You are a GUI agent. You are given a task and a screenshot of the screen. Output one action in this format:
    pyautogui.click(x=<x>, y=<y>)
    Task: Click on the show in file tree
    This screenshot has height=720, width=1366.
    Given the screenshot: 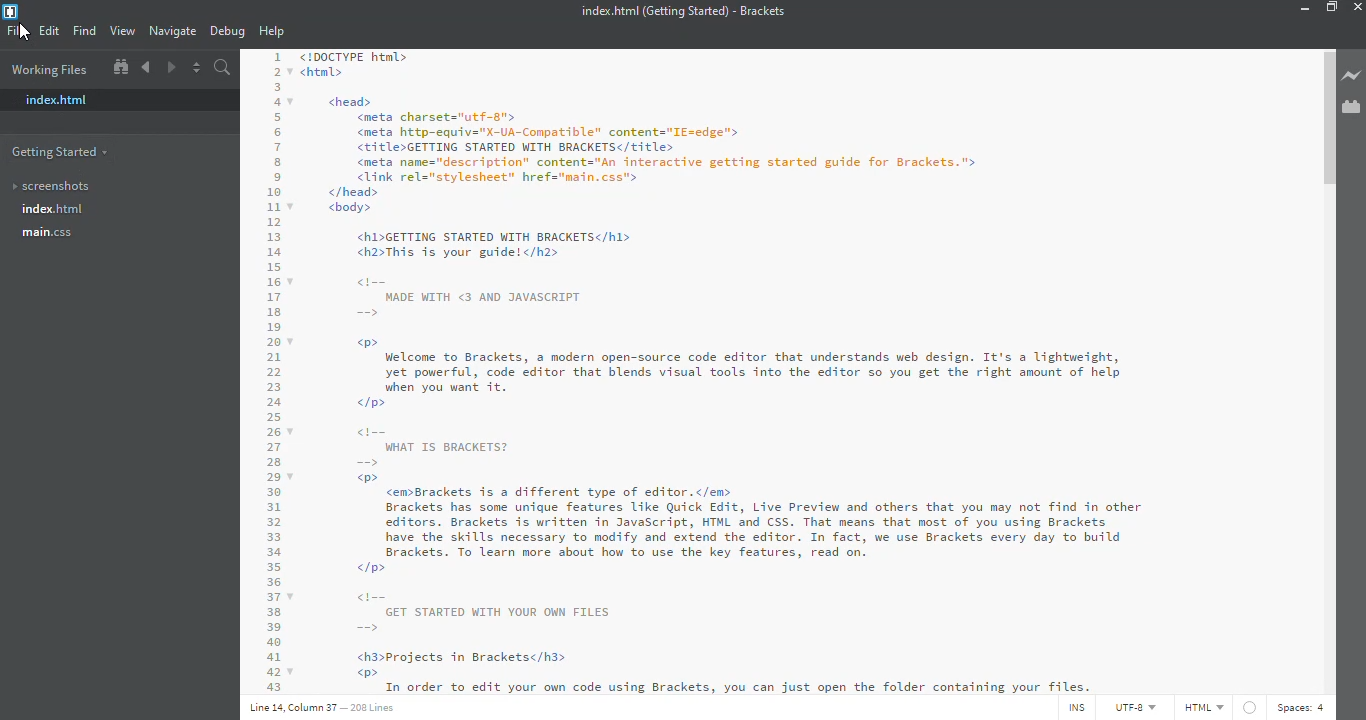 What is the action you would take?
    pyautogui.click(x=120, y=67)
    